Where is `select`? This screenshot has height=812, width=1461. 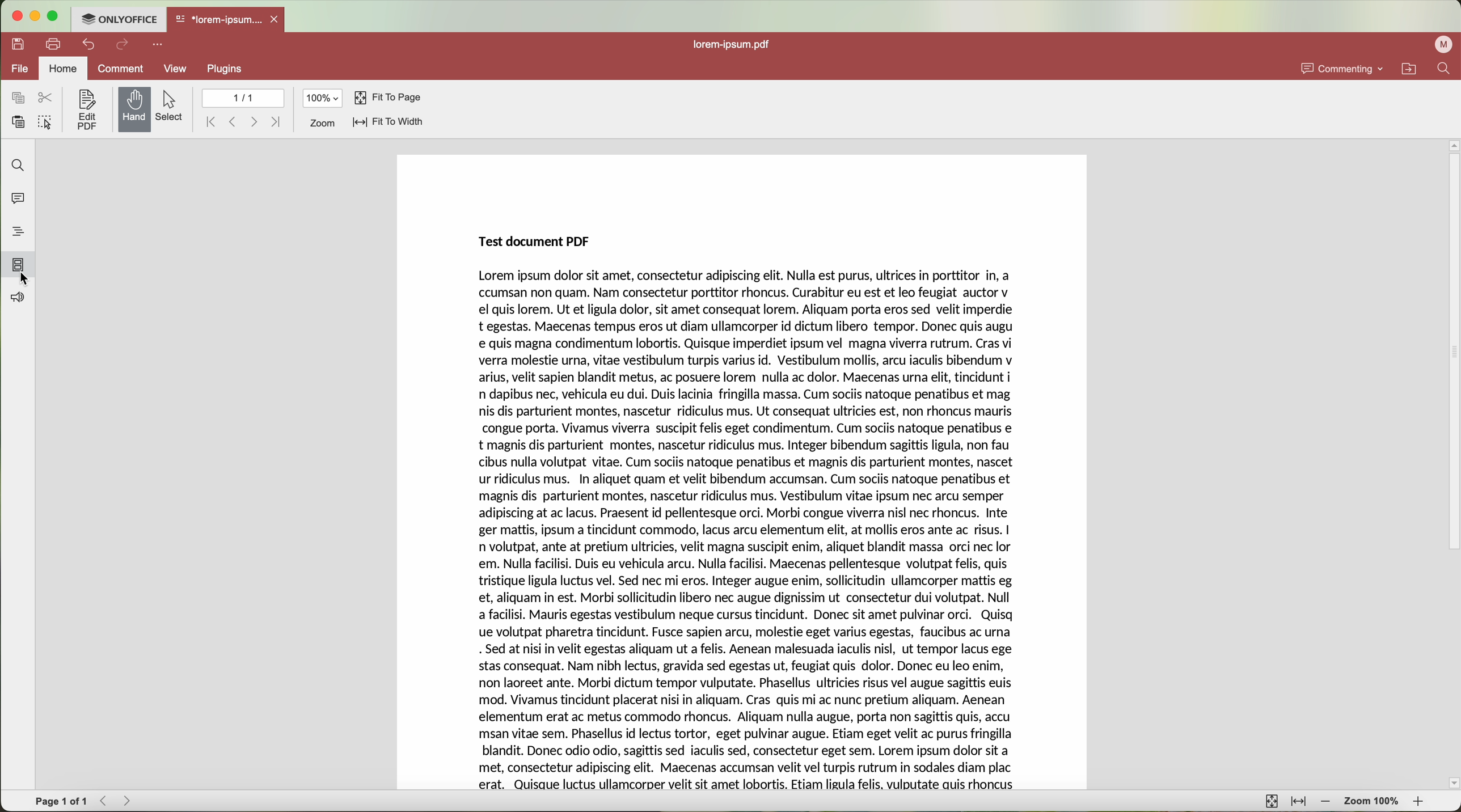 select is located at coordinates (28, 280).